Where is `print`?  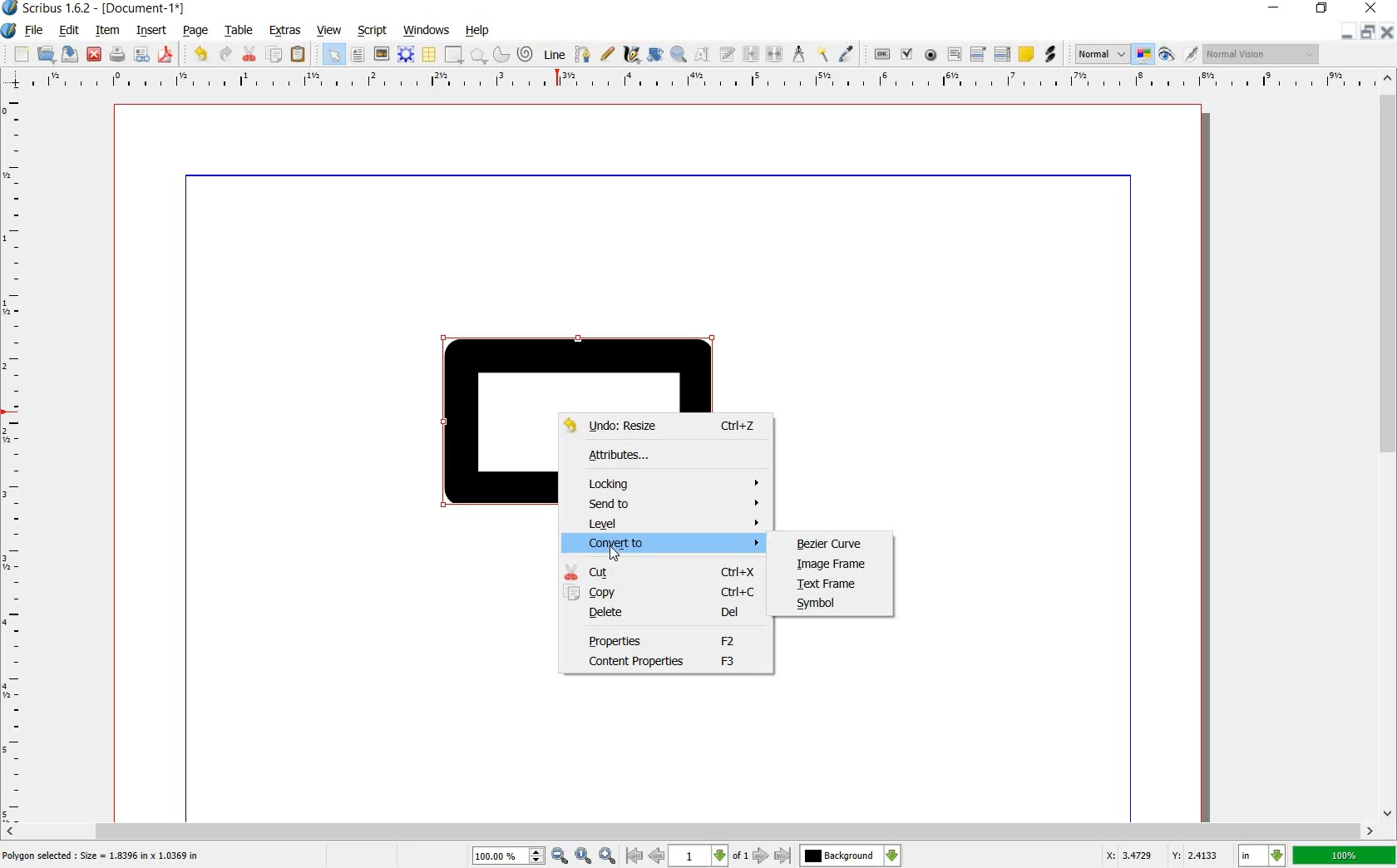
print is located at coordinates (117, 55).